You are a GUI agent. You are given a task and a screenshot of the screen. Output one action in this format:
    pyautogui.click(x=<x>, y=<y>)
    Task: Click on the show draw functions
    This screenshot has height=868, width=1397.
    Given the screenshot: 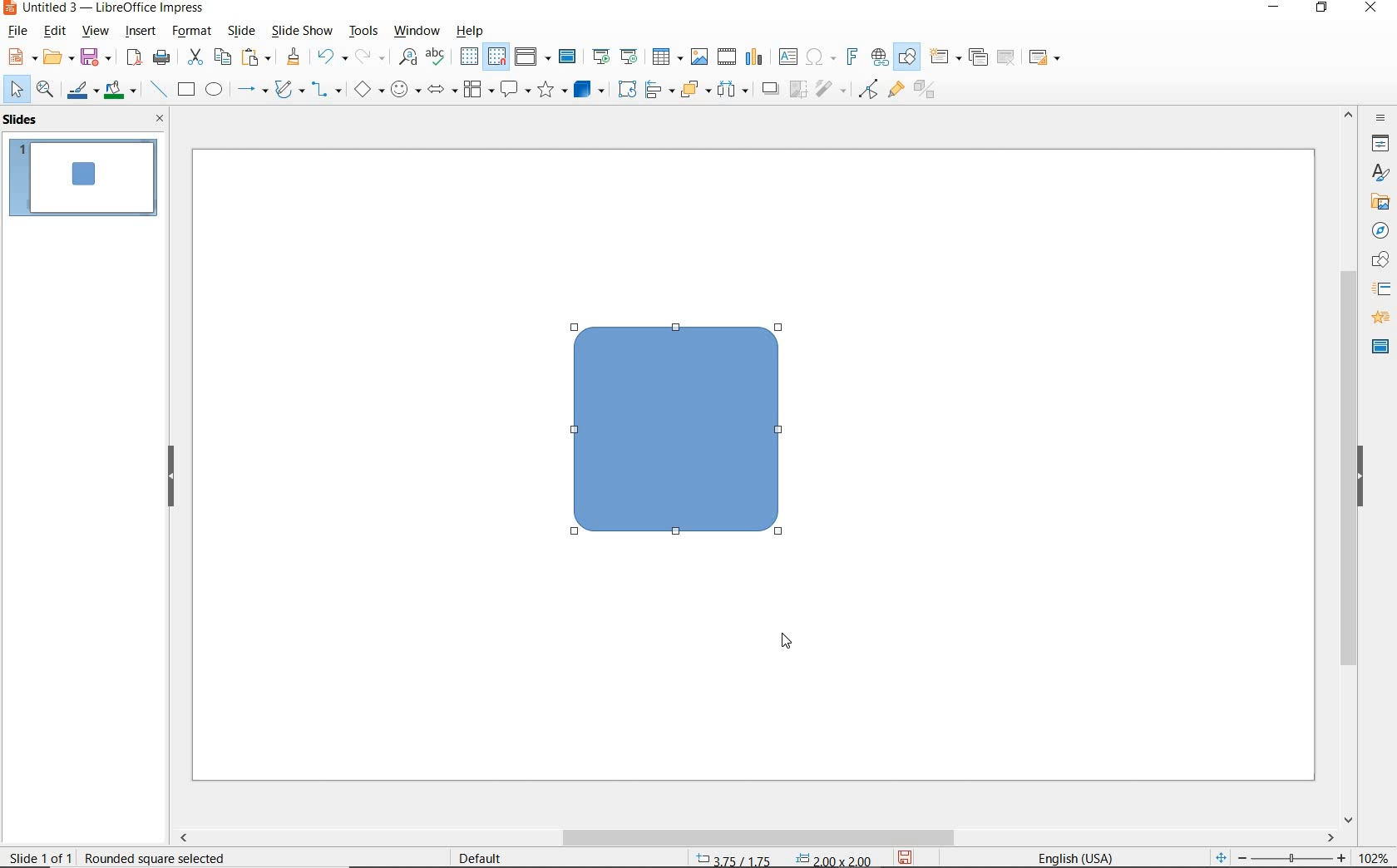 What is the action you would take?
    pyautogui.click(x=909, y=57)
    